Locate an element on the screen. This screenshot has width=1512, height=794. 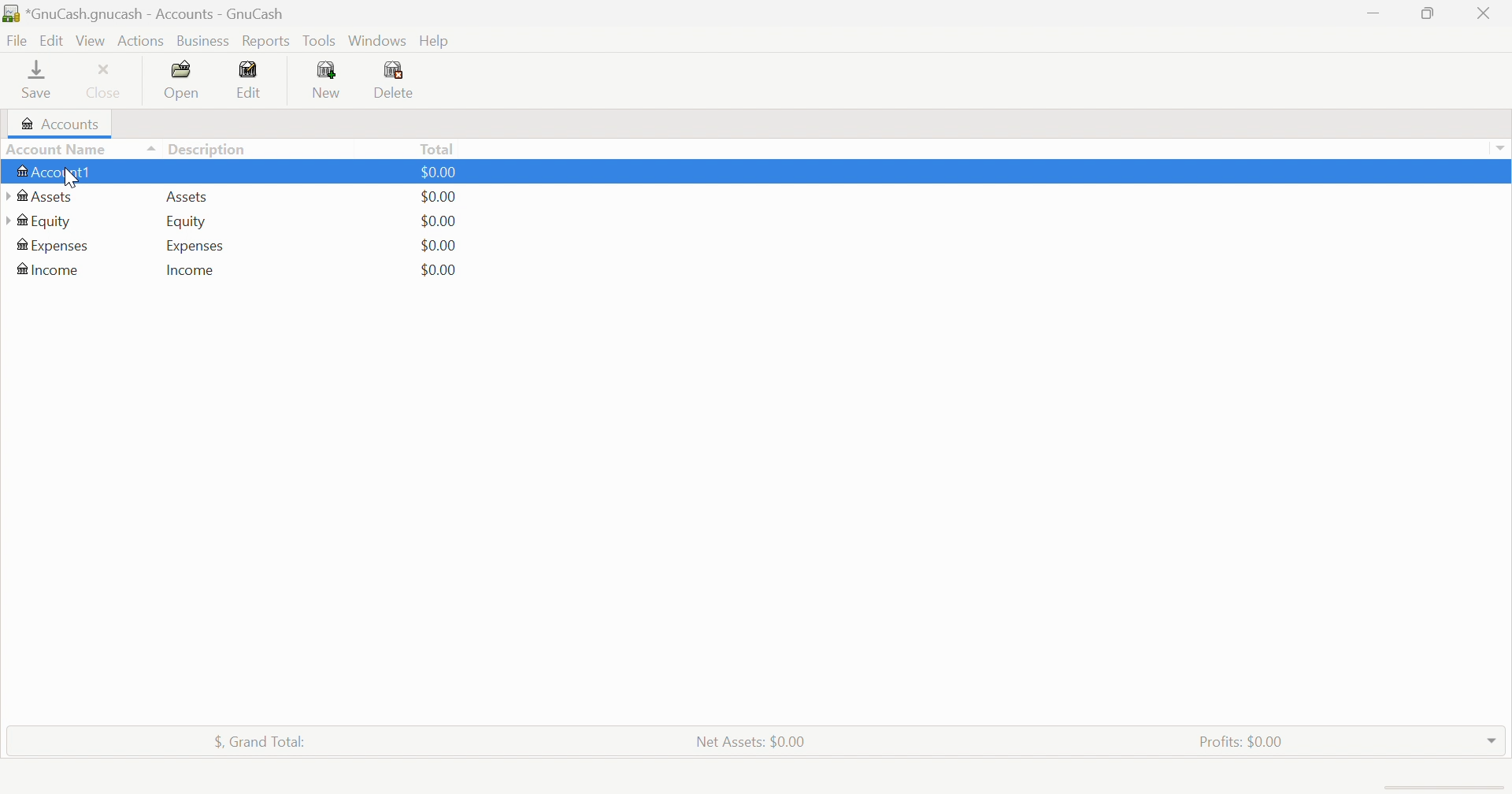
Windows is located at coordinates (376, 39).